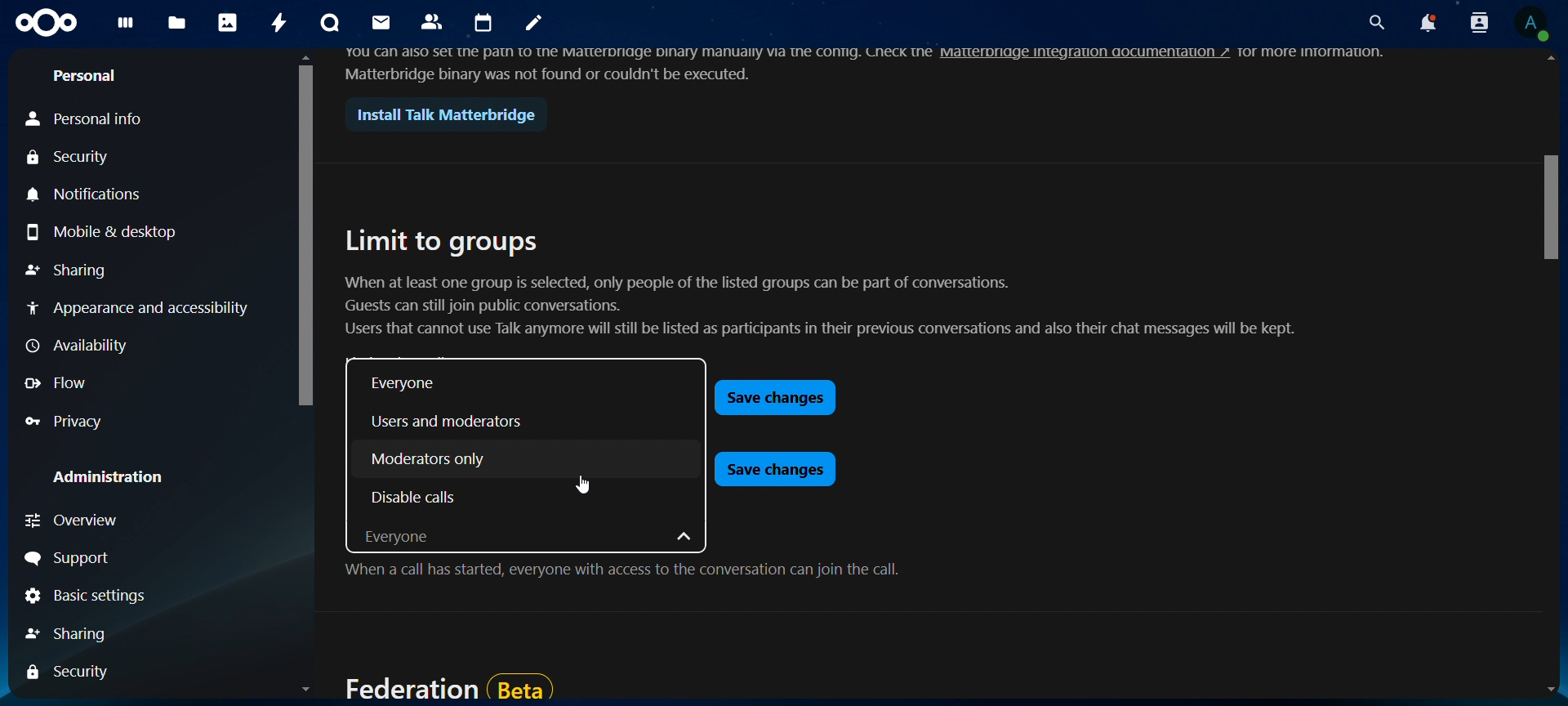  I want to click on When at least one group is selected, only people of the listed groups can be part of conversations.
Guests can still join public conversations.
Users that cannot use Talk anymore will still be listed as participants in their previous conversations and also their chat messages will be kept., so click(816, 309).